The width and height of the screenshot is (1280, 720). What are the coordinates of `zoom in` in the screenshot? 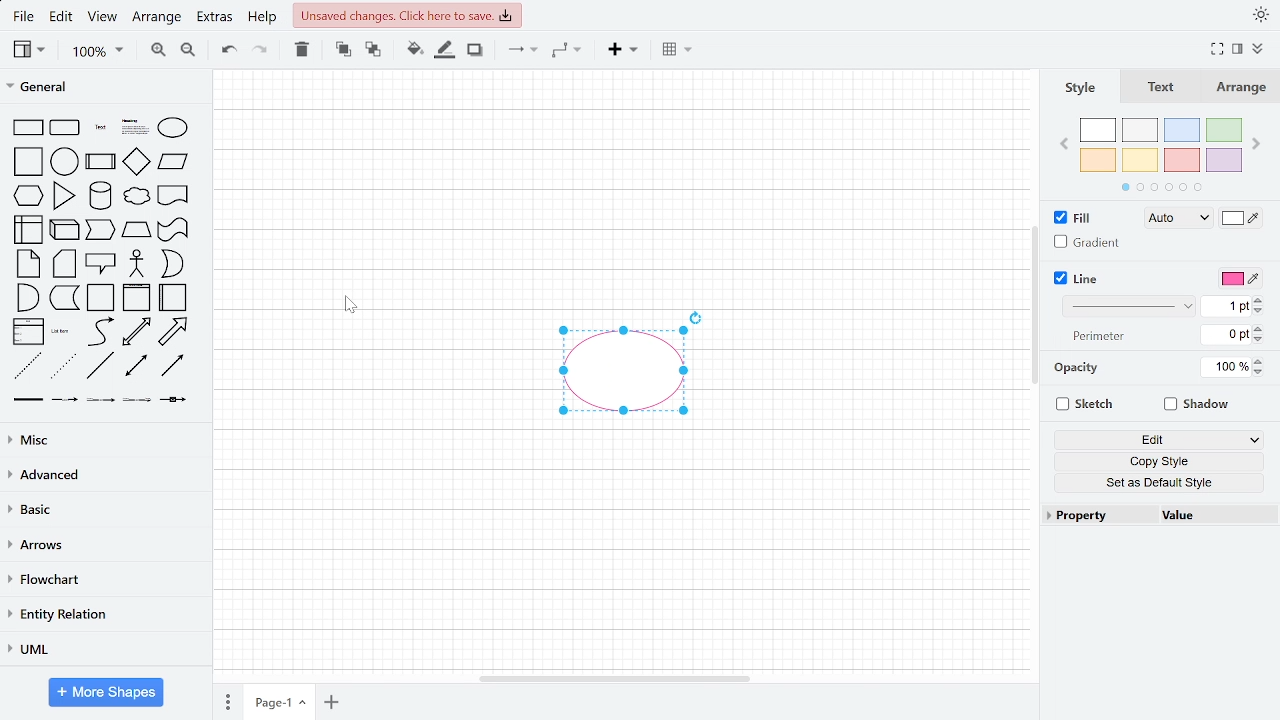 It's located at (155, 50).